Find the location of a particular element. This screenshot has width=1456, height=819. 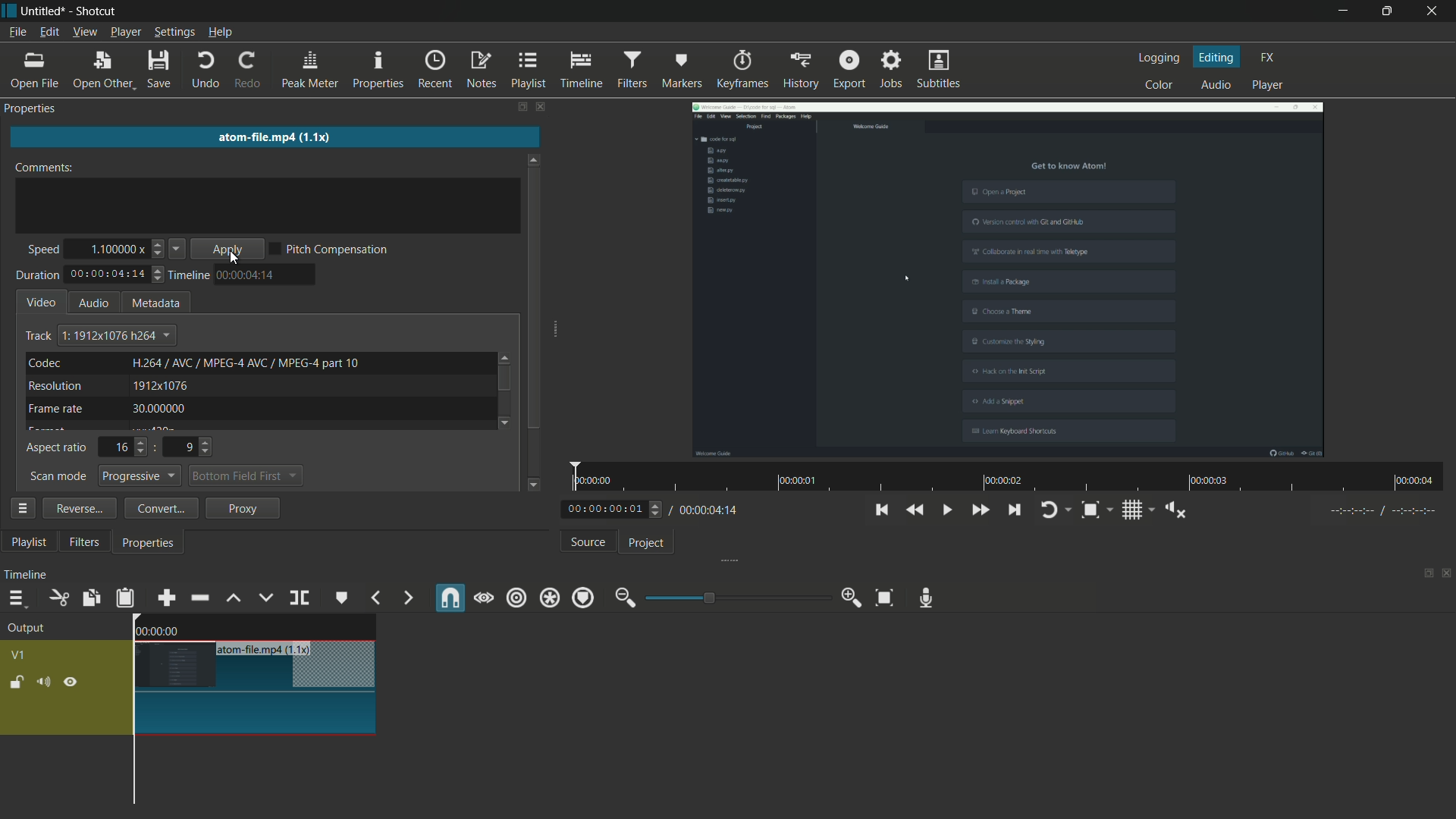

proxy is located at coordinates (244, 509).